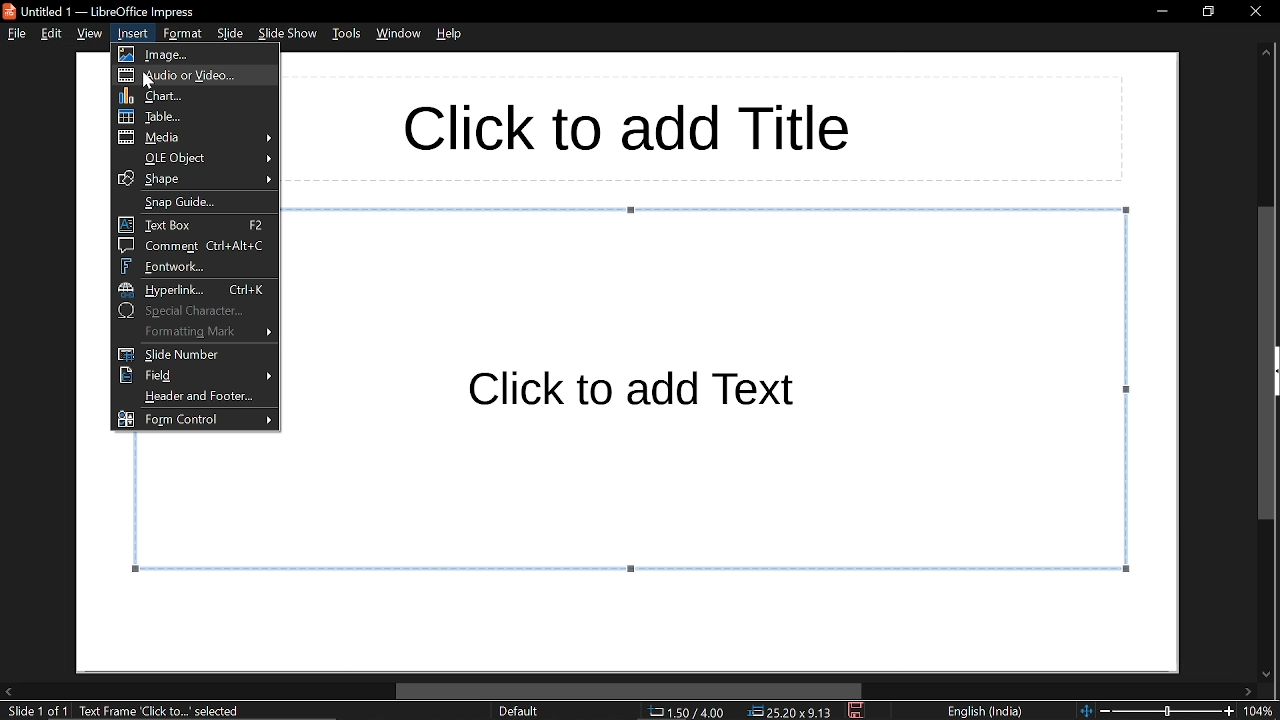  What do you see at coordinates (192, 139) in the screenshot?
I see `media` at bounding box center [192, 139].